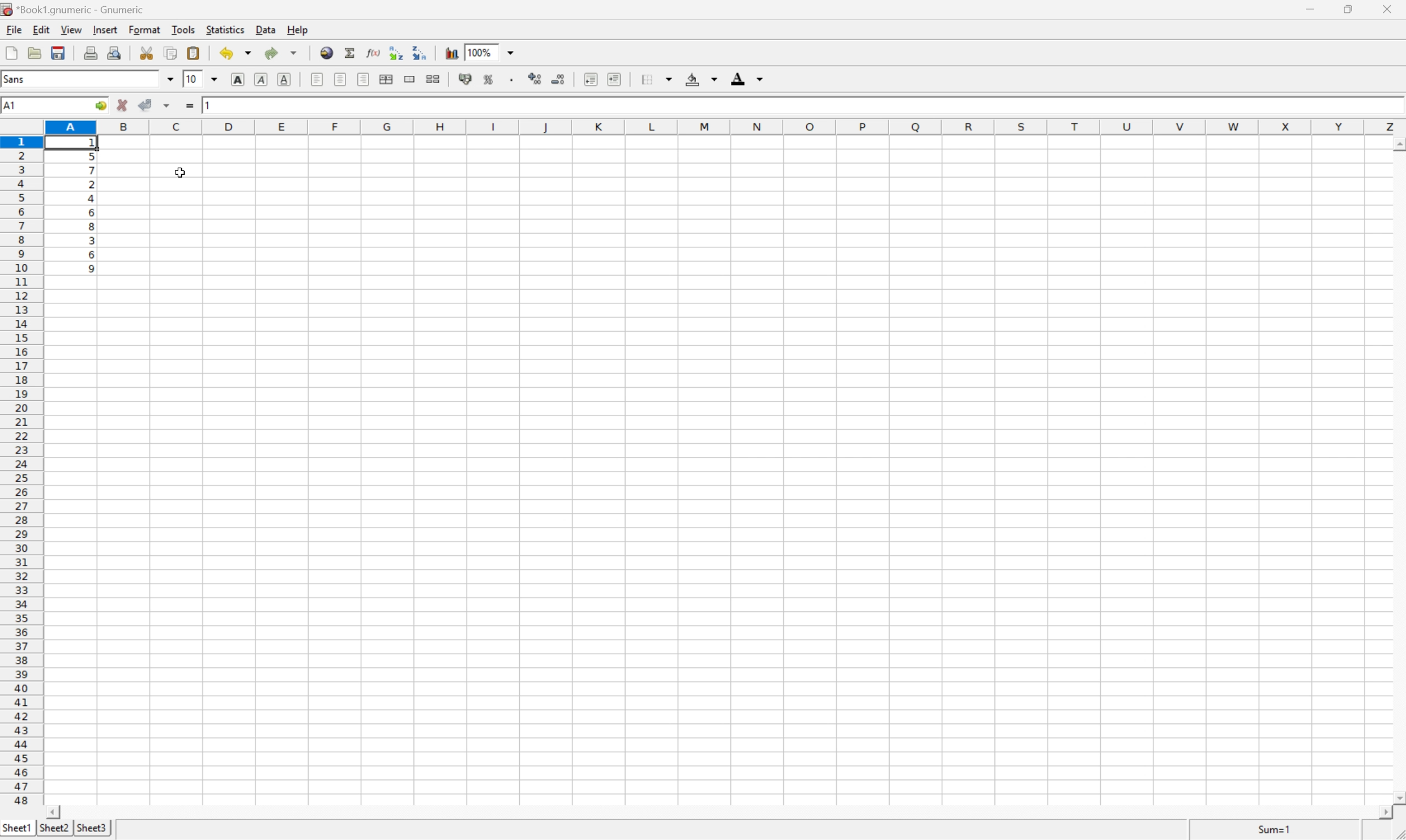  What do you see at coordinates (618, 80) in the screenshot?
I see `increase indent` at bounding box center [618, 80].